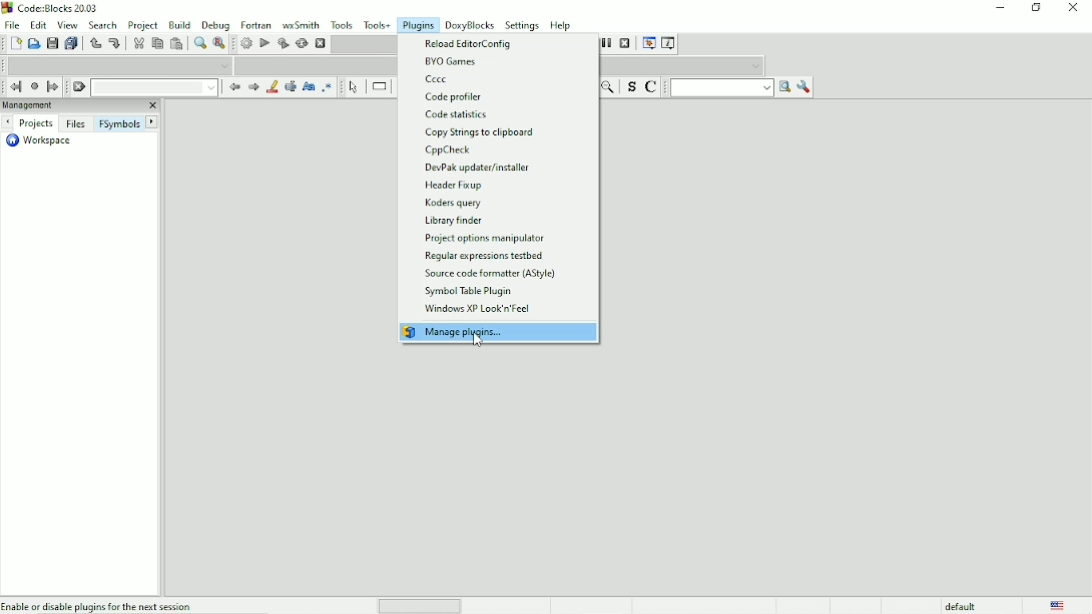  Describe the element at coordinates (119, 123) in the screenshot. I see `FSymbols` at that location.